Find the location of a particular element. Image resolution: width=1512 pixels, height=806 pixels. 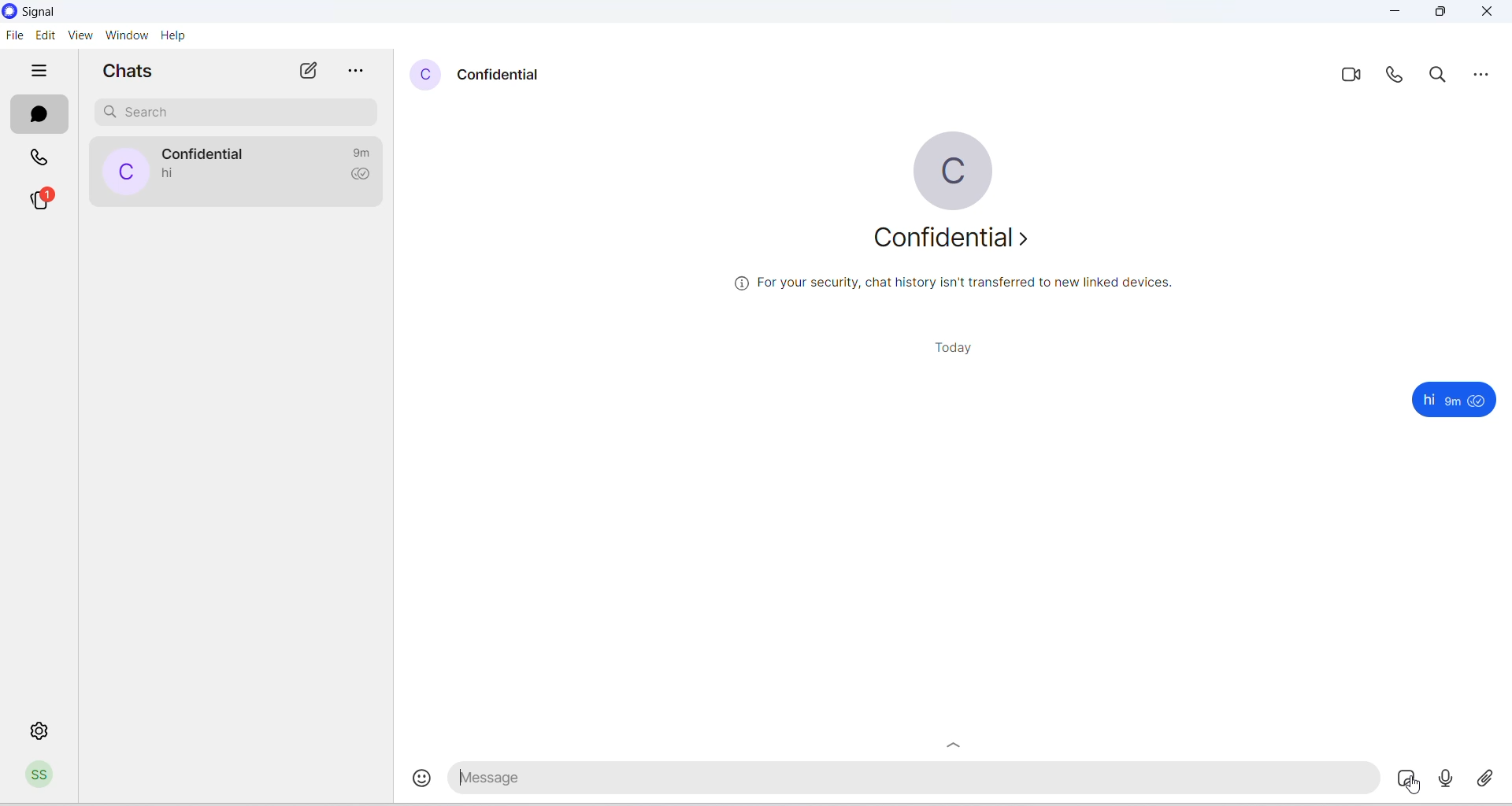

profile picture is located at coordinates (951, 171).